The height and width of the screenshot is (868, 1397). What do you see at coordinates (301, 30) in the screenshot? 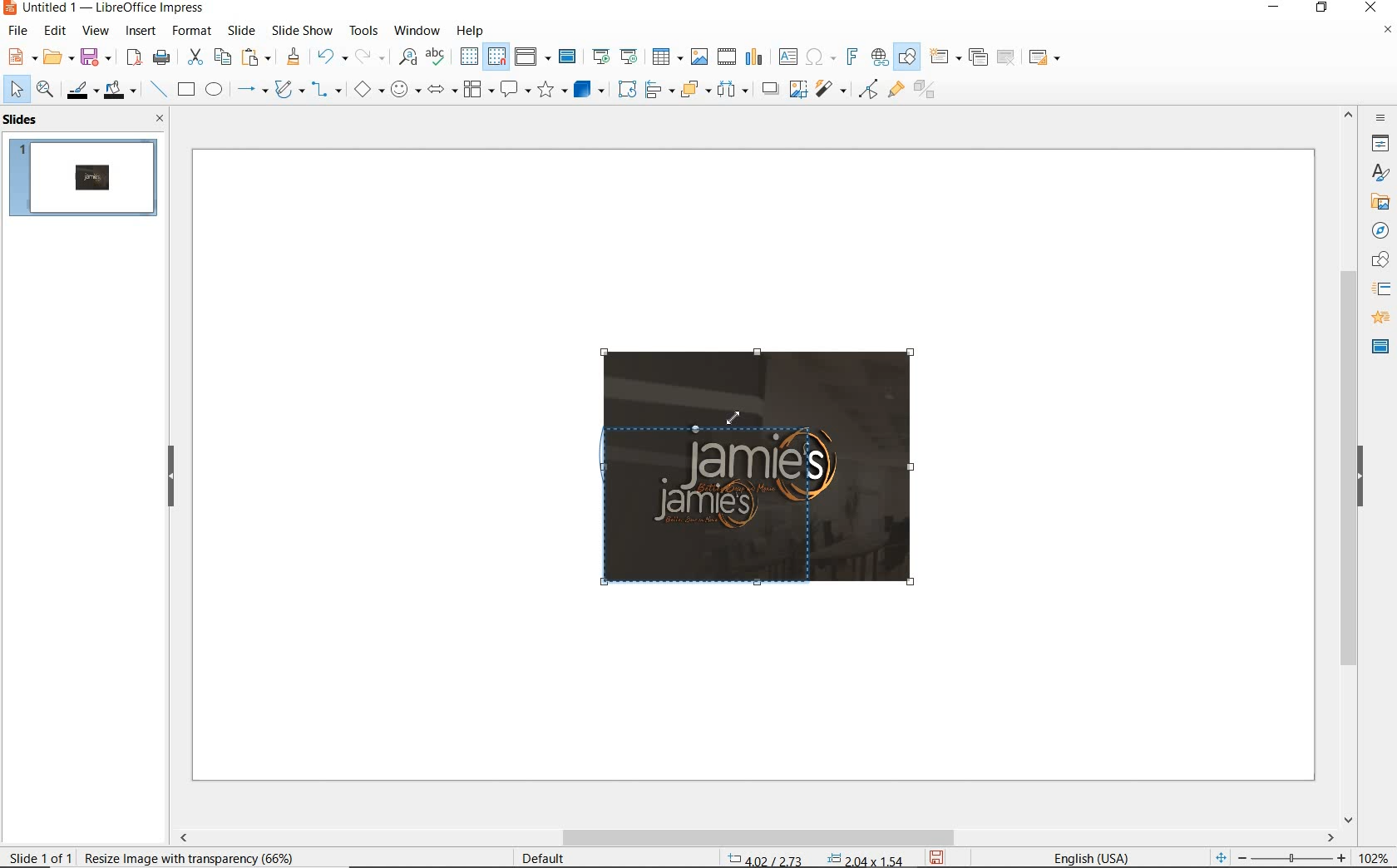
I see `slide show` at bounding box center [301, 30].